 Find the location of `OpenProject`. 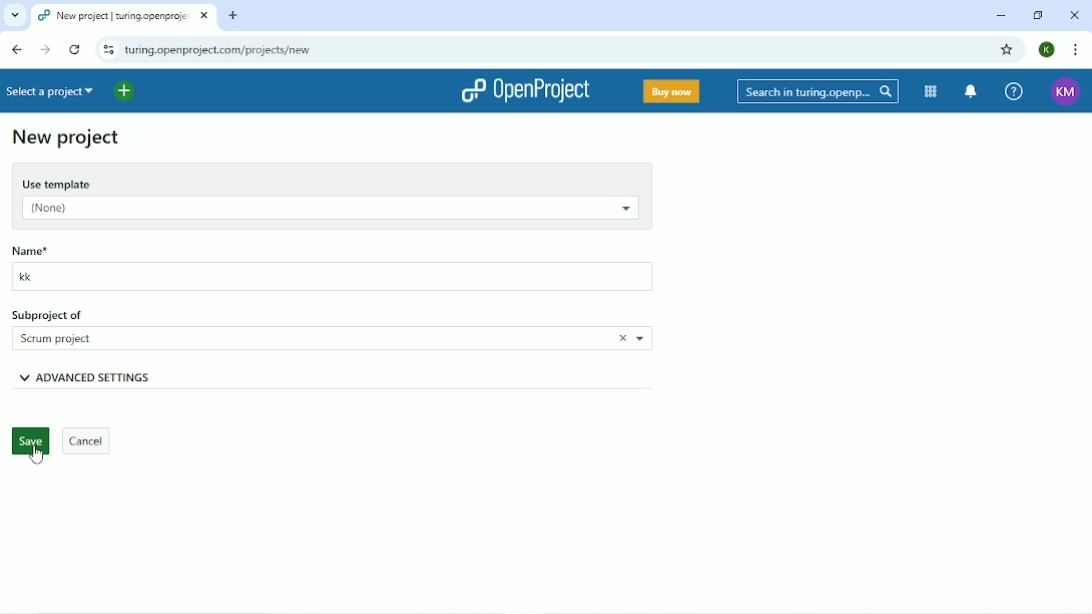

OpenProject is located at coordinates (526, 91).